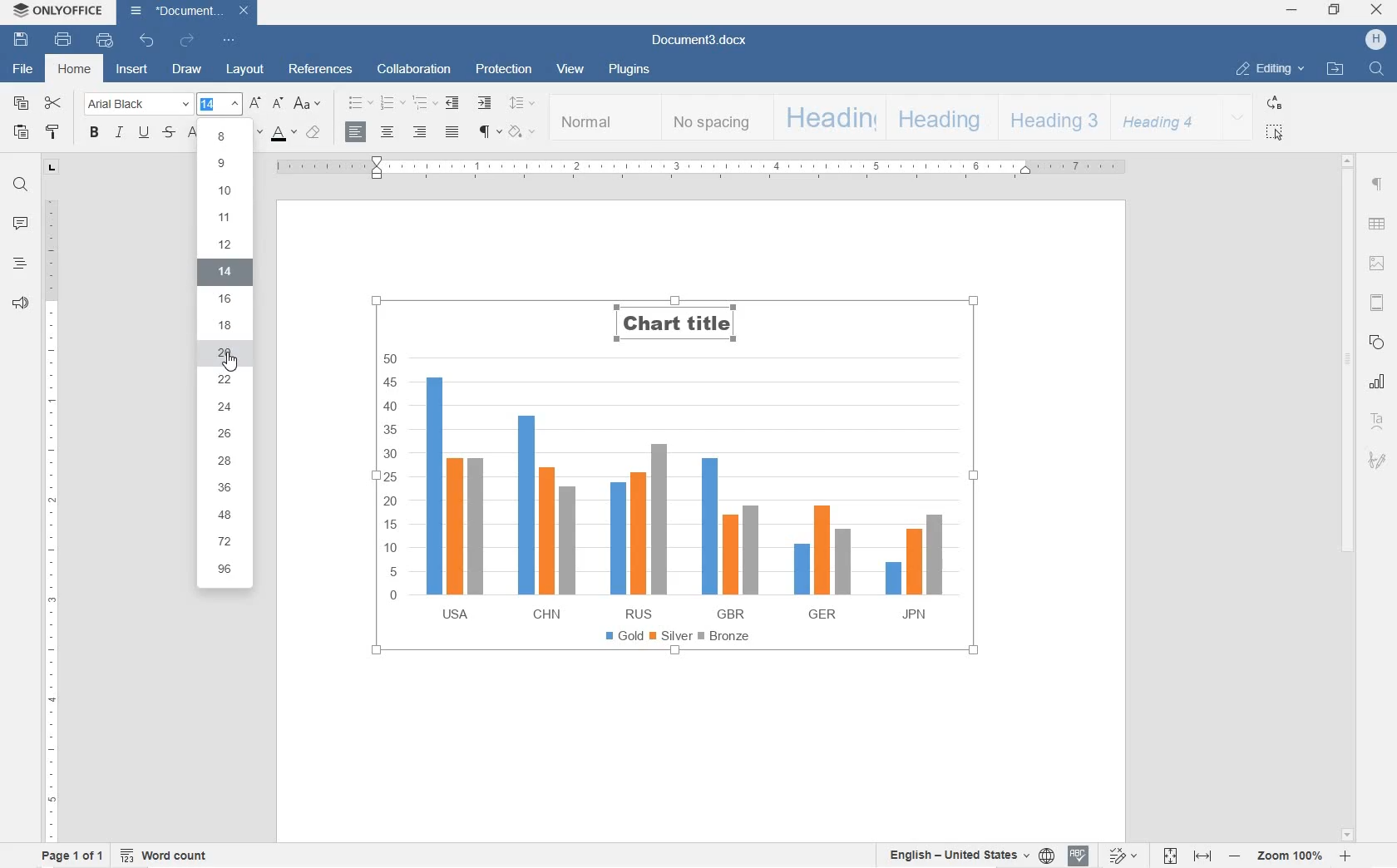 The image size is (1397, 868). What do you see at coordinates (489, 133) in the screenshot?
I see `NON PRINTING CHARACTERS` at bounding box center [489, 133].